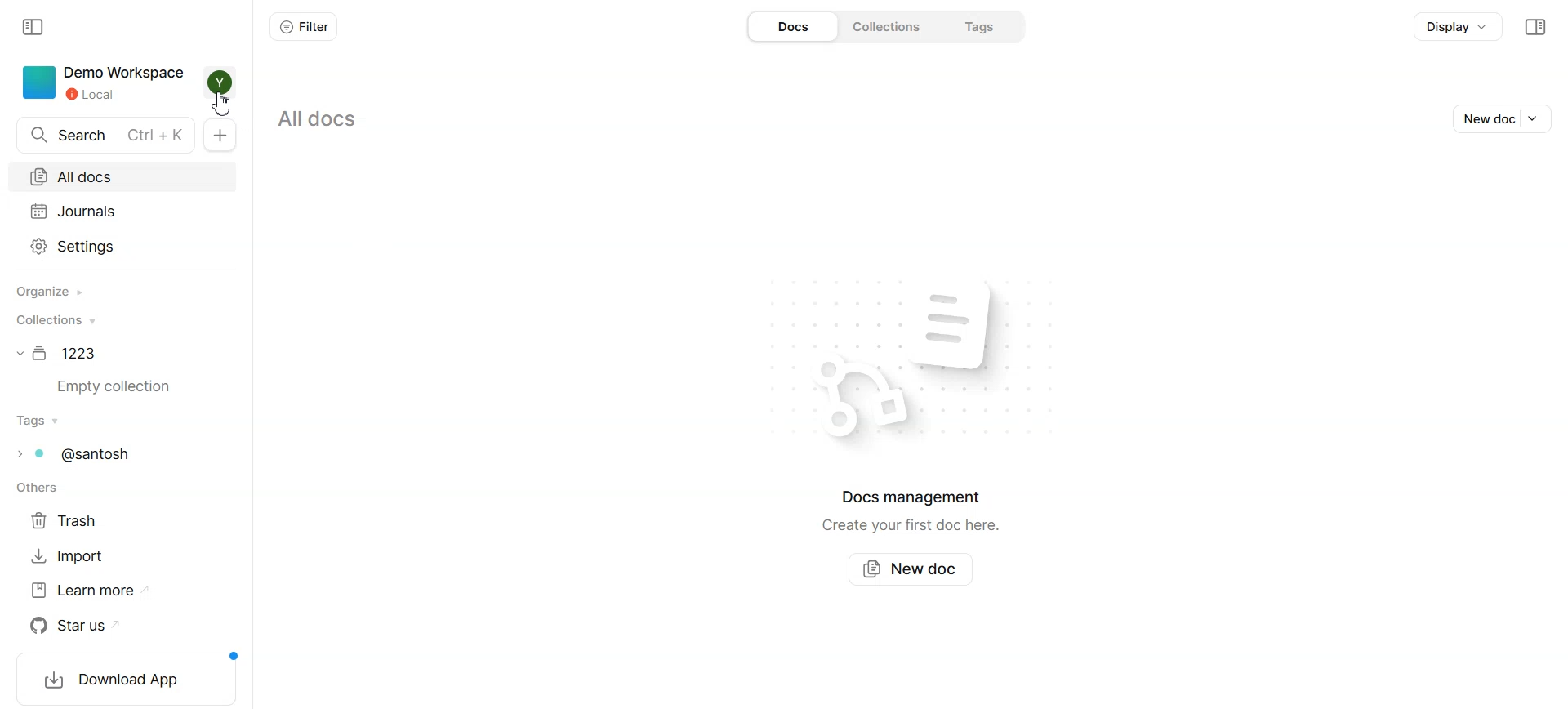 The height and width of the screenshot is (709, 1568). I want to click on new doc, so click(220, 135).